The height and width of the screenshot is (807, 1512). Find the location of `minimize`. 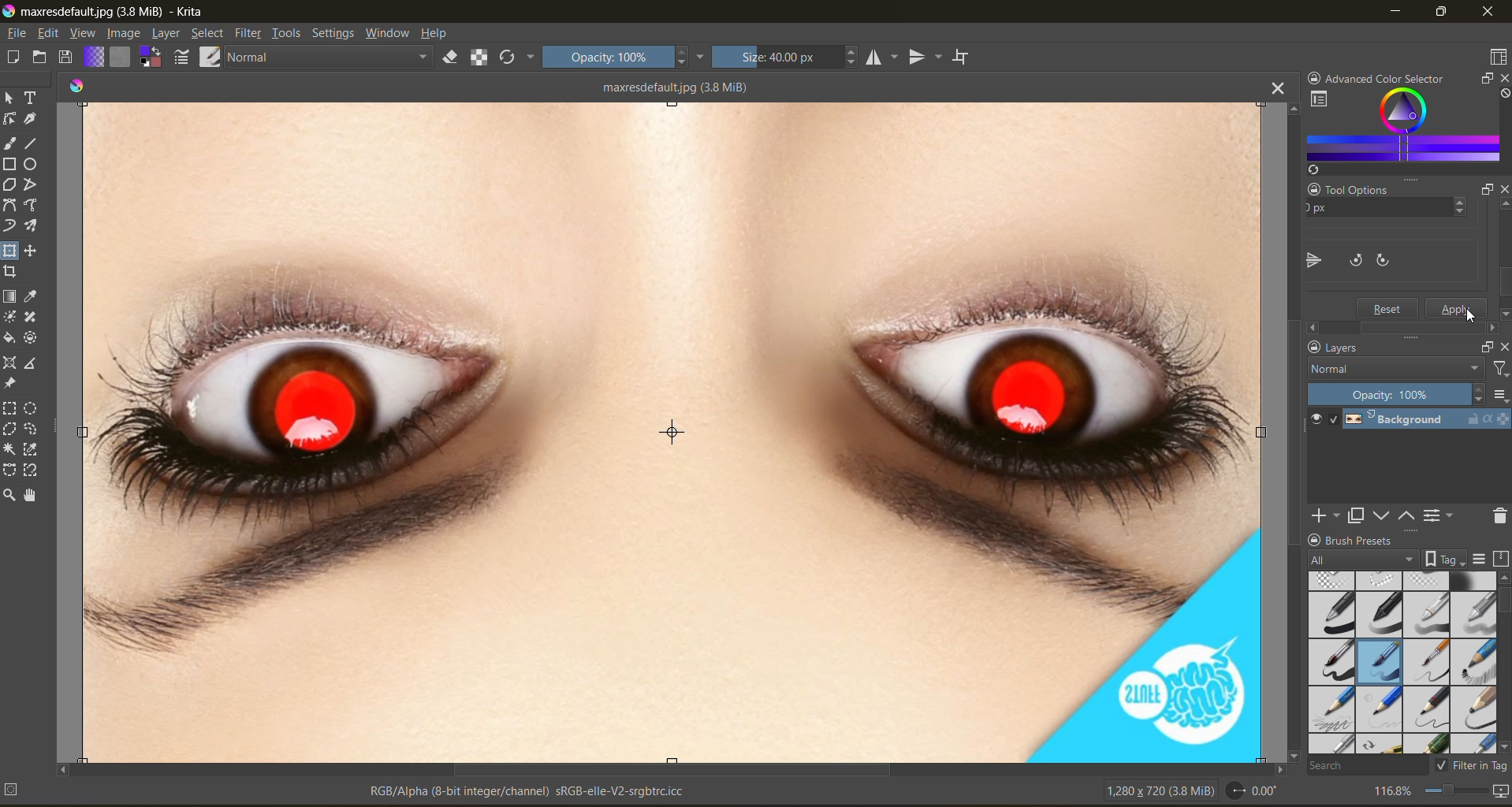

minimize is located at coordinates (1391, 14).